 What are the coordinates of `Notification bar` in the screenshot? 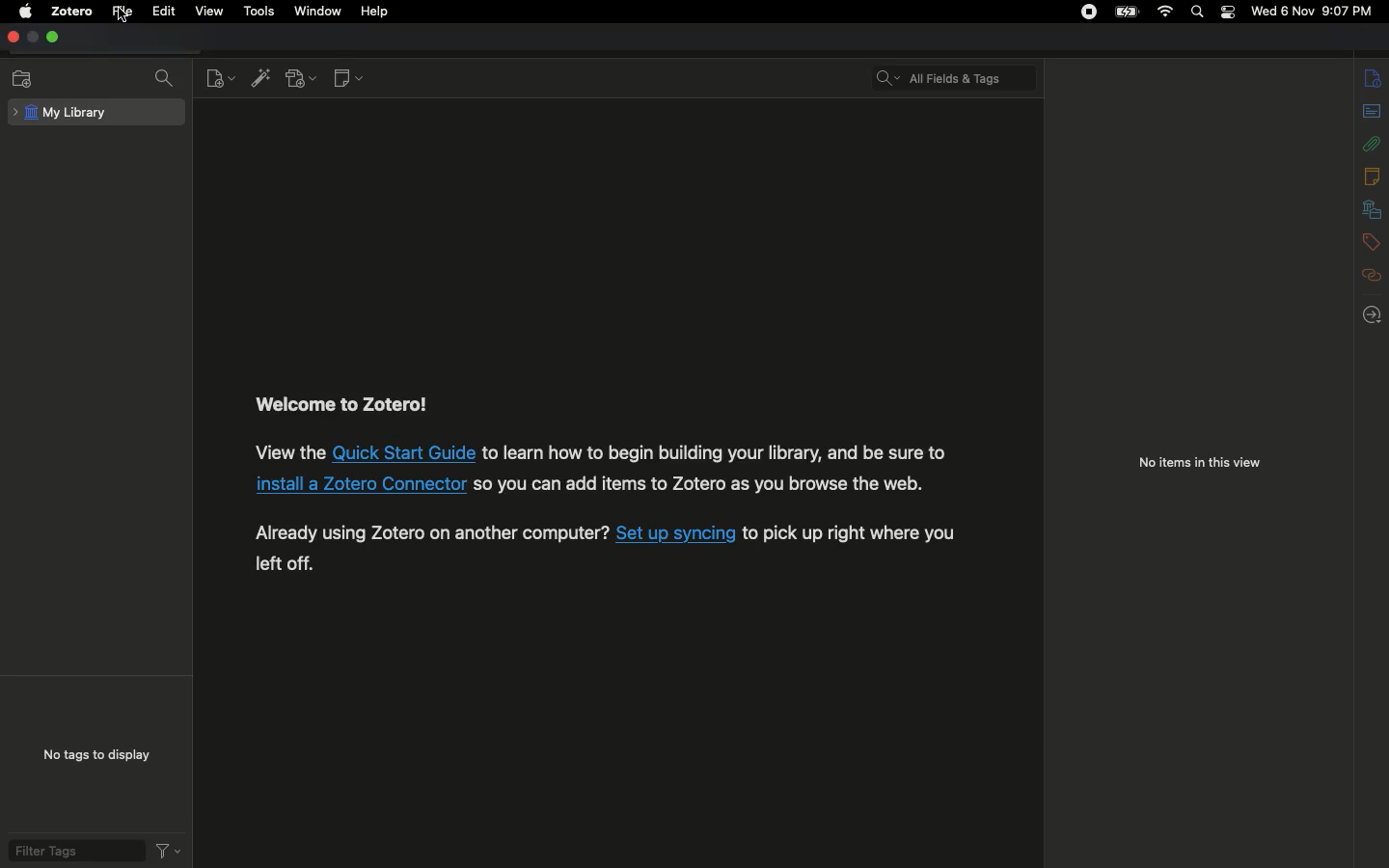 It's located at (1225, 14).